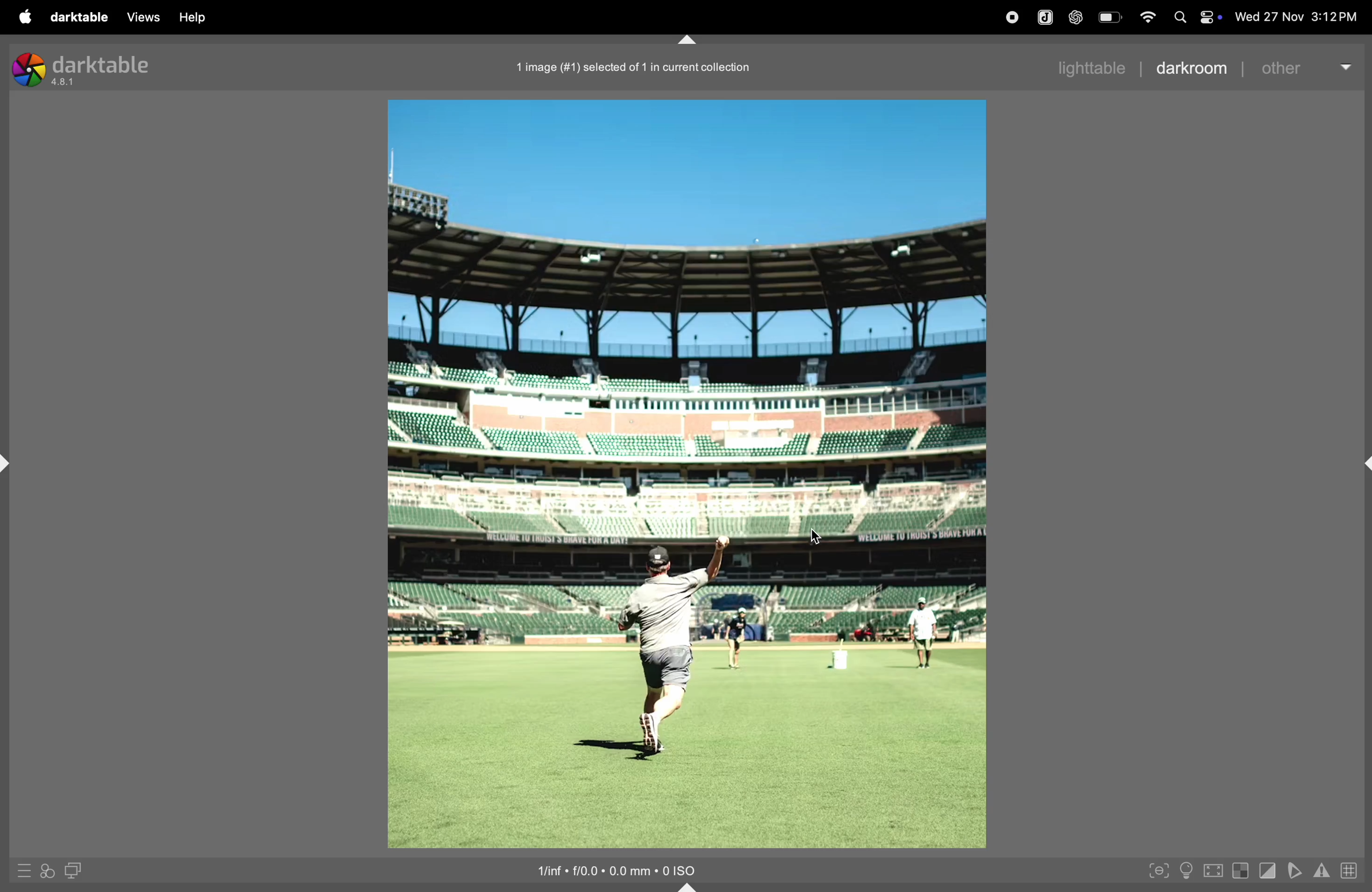  What do you see at coordinates (1148, 16) in the screenshot?
I see `wifi` at bounding box center [1148, 16].